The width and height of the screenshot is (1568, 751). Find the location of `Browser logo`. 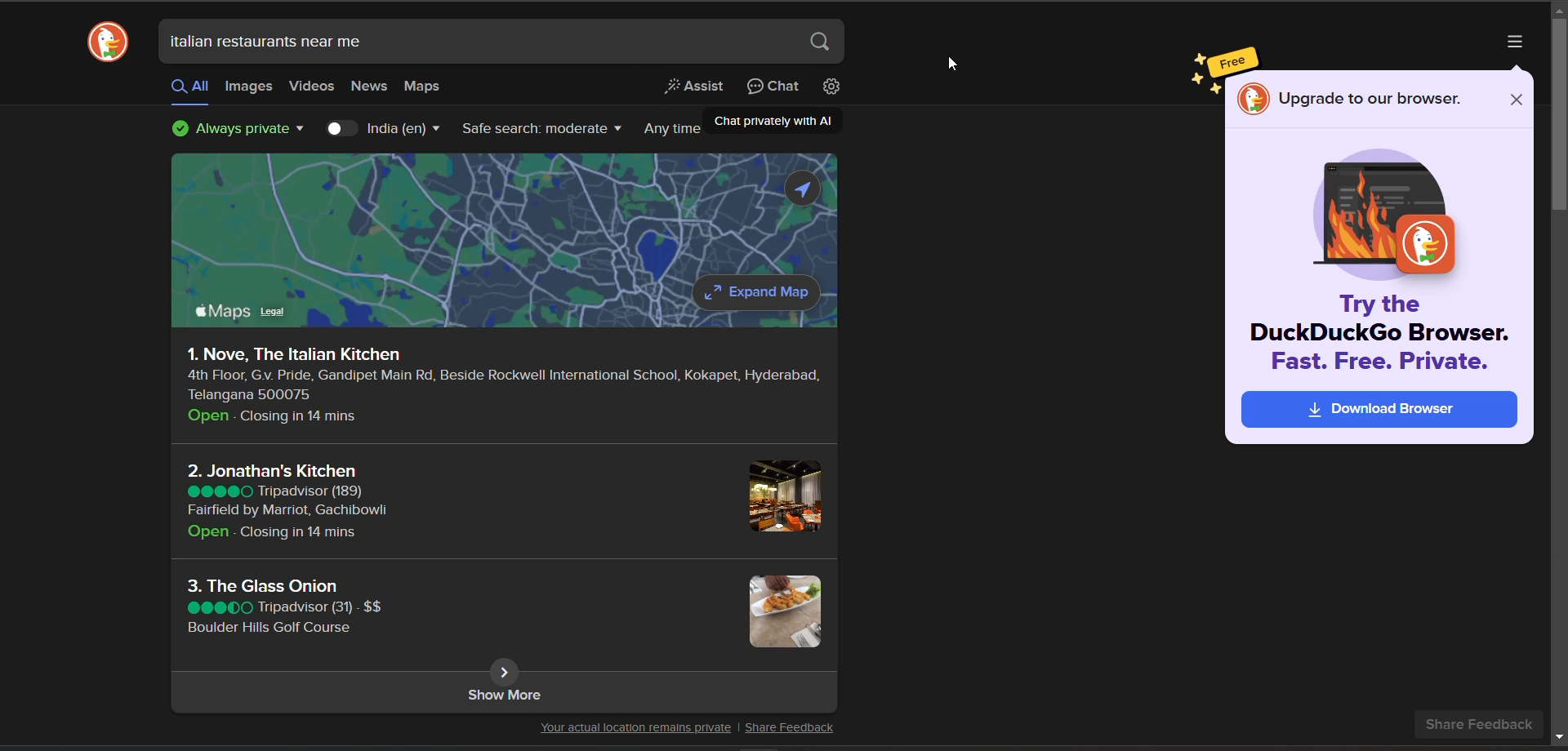

Browser logo is located at coordinates (108, 42).